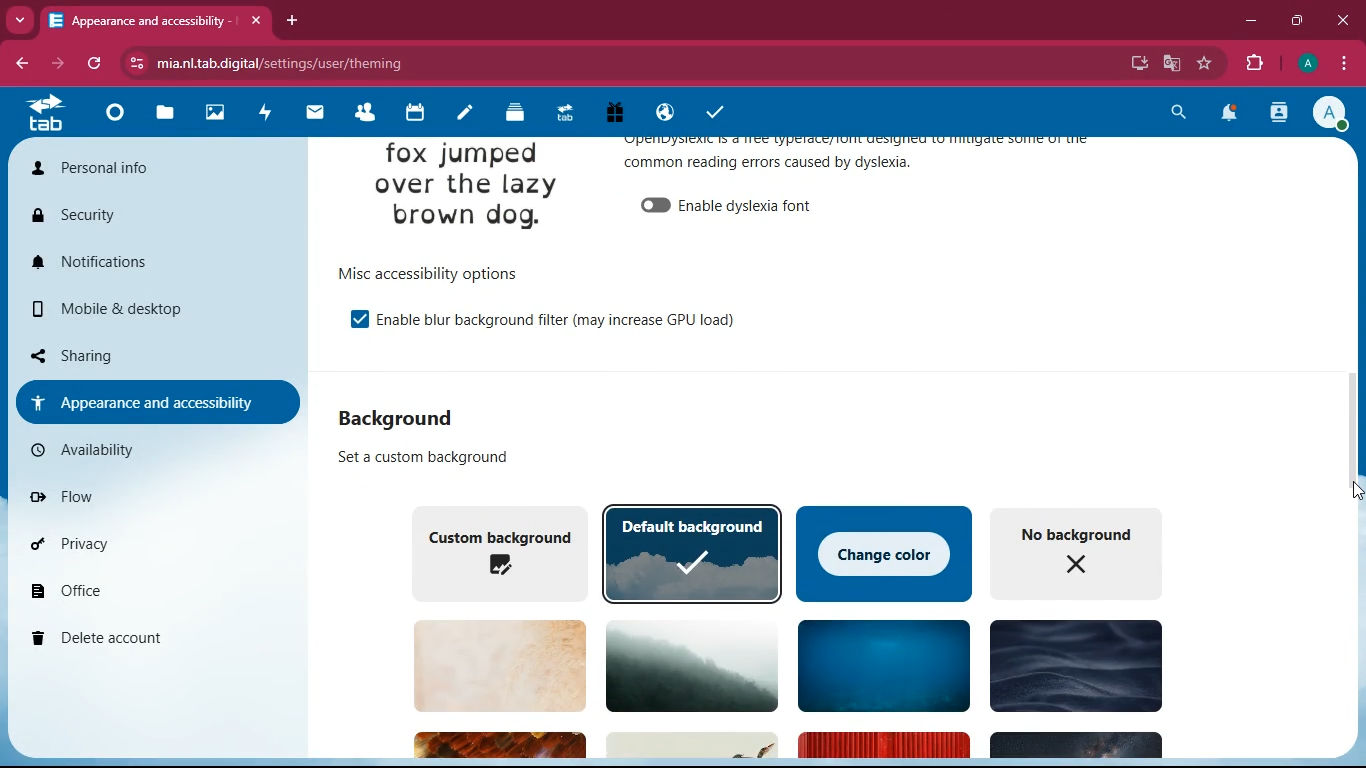  I want to click on tab, so click(157, 20).